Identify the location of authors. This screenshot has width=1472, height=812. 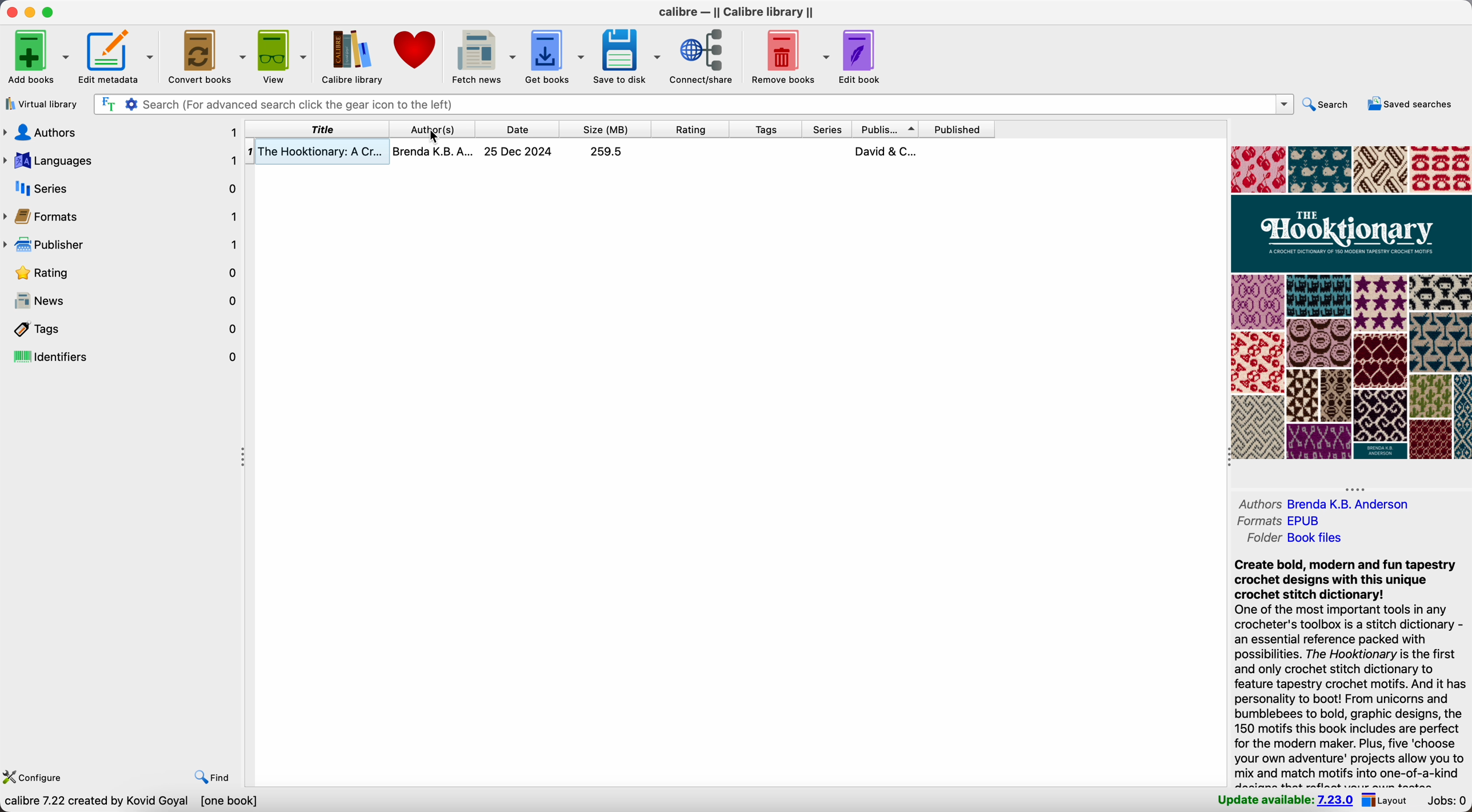
(1327, 503).